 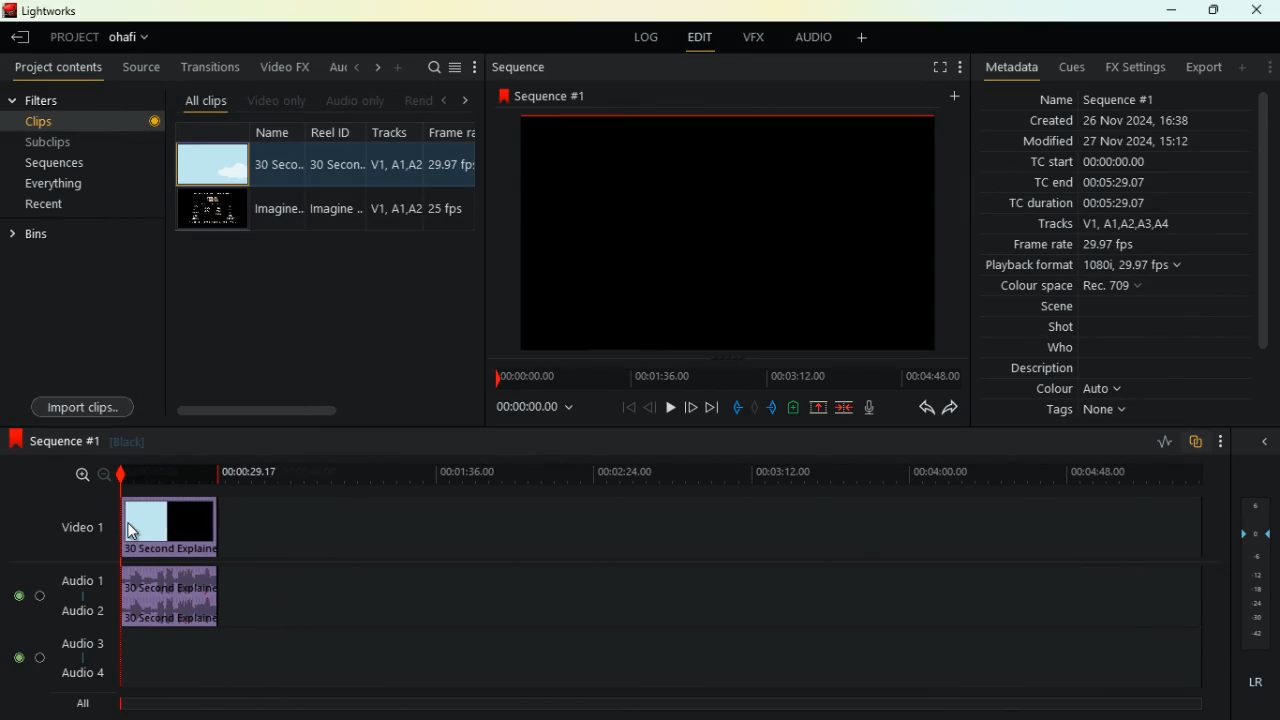 I want to click on on, so click(x=22, y=595).